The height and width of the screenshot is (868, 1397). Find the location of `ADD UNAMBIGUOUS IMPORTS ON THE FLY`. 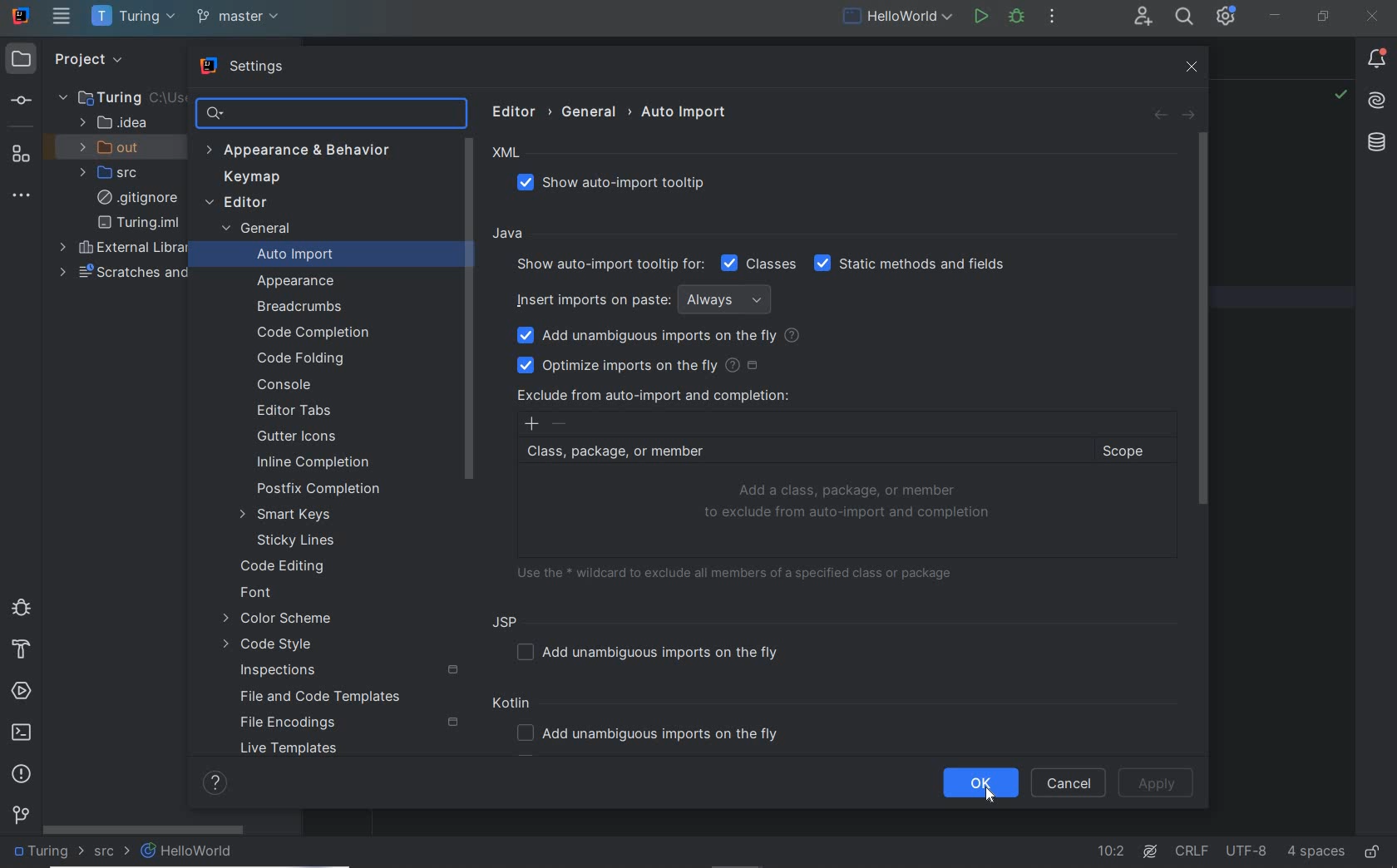

ADD UNAMBIGUOUS IMPORTS ON THE FLY is located at coordinates (654, 652).